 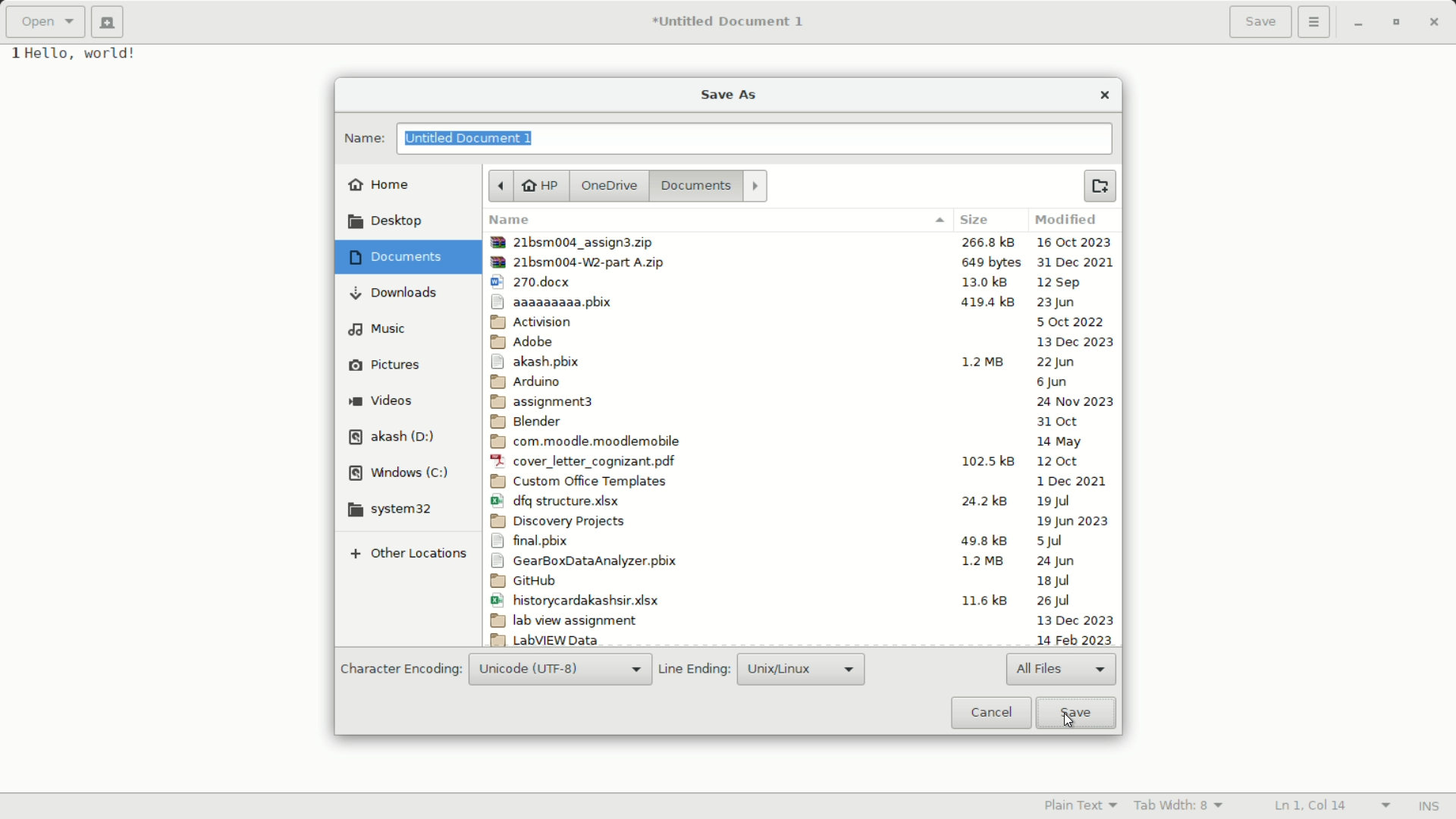 What do you see at coordinates (394, 510) in the screenshot?
I see `system32` at bounding box center [394, 510].